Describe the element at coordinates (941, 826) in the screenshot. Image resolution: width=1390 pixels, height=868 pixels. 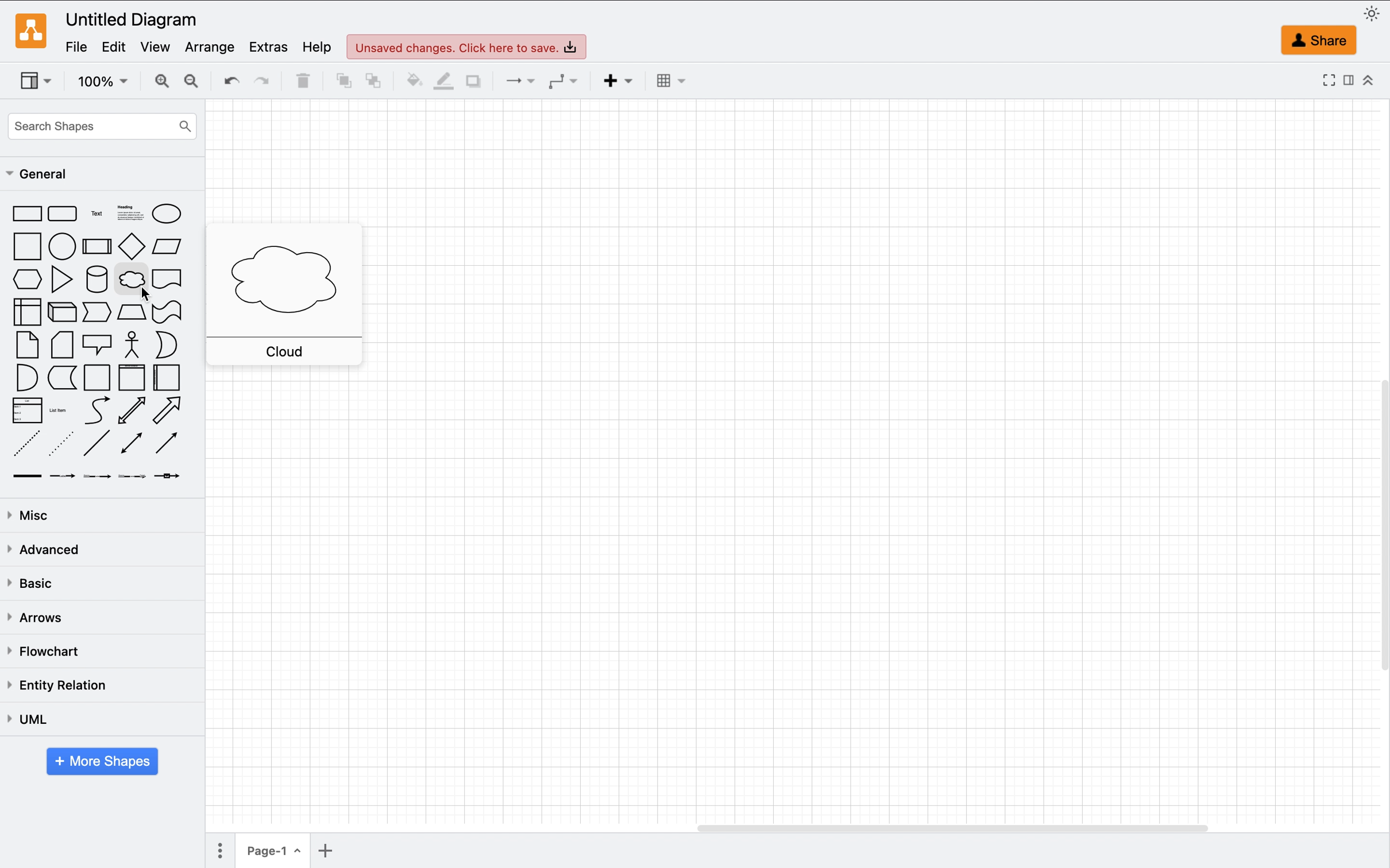
I see `horizontal page scroll bar` at that location.